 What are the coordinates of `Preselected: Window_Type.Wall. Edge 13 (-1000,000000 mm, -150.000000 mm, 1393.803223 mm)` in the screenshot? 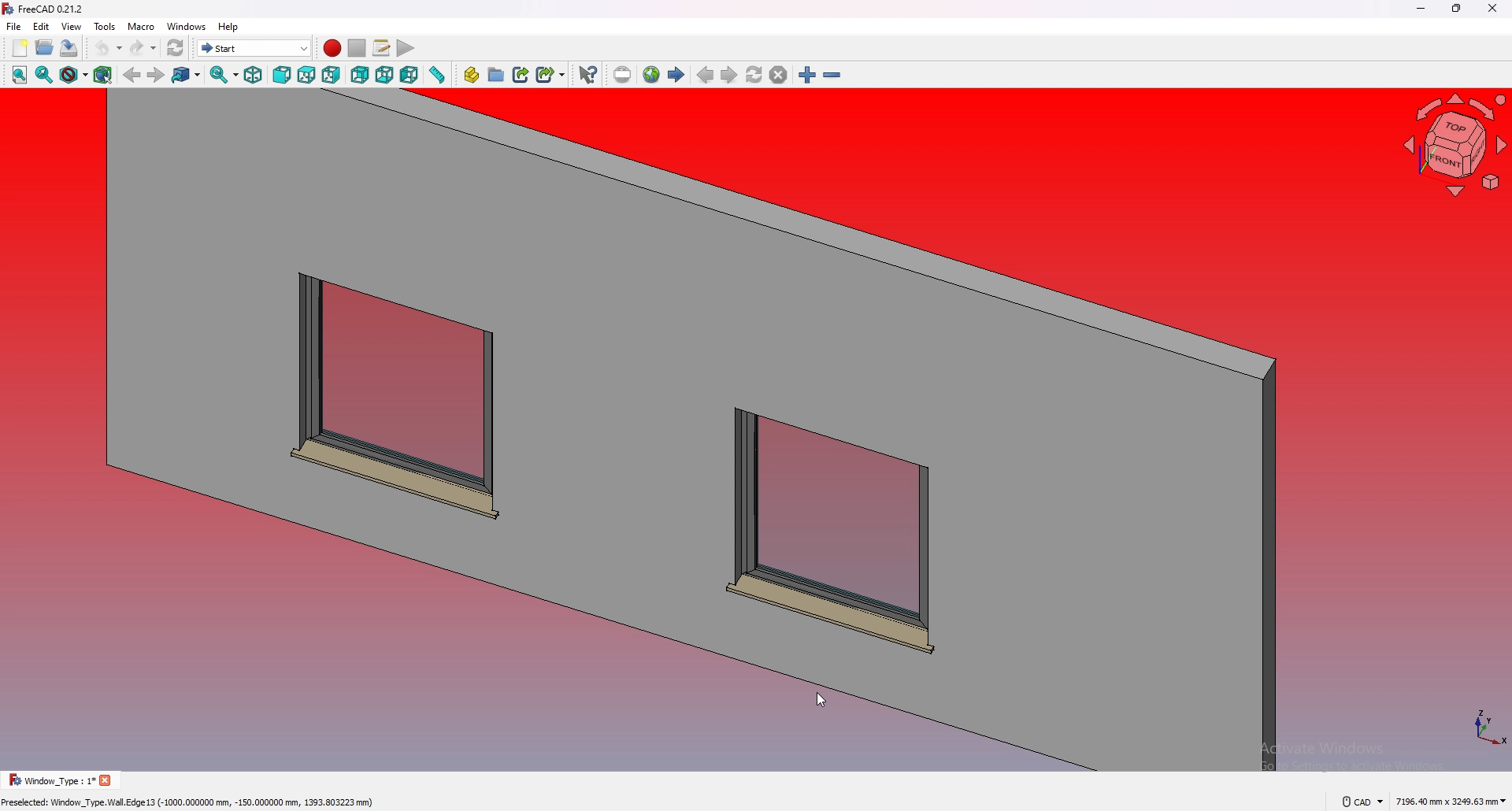 It's located at (191, 800).